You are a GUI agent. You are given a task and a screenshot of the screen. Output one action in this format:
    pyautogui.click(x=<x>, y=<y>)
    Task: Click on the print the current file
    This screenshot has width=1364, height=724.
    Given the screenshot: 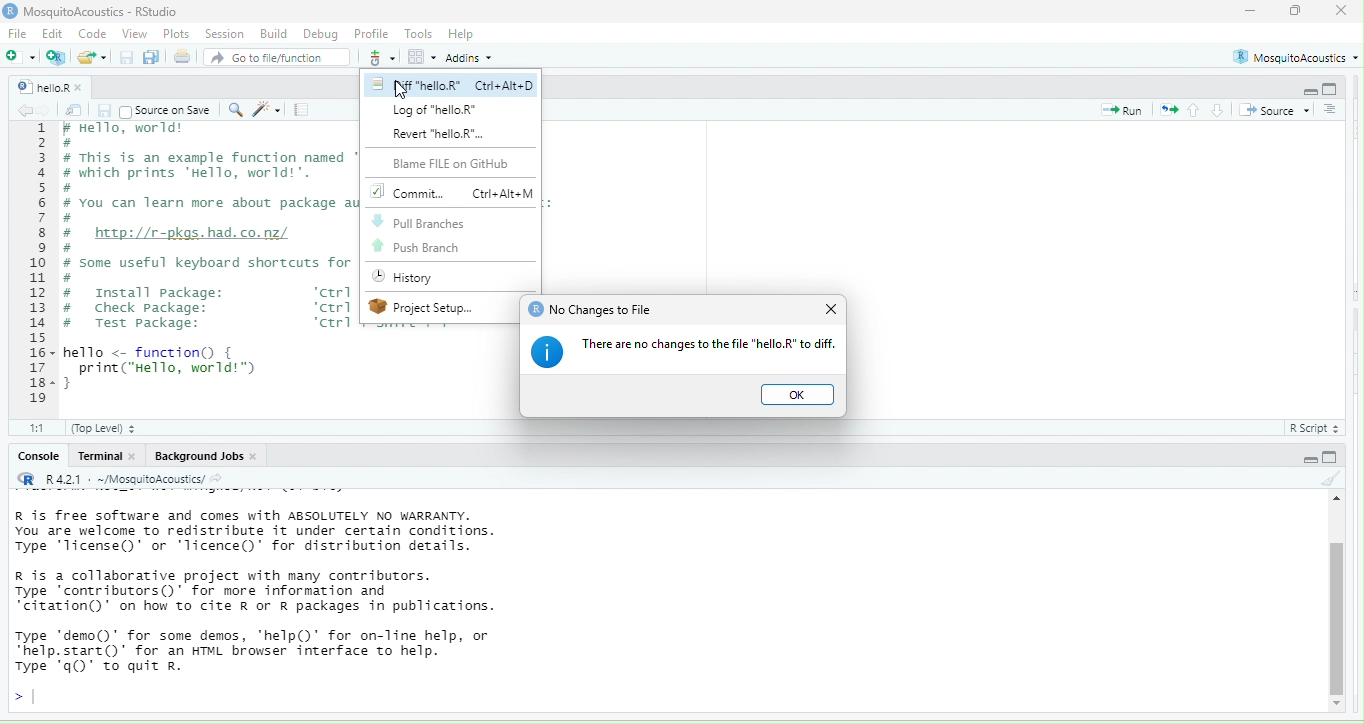 What is the action you would take?
    pyautogui.click(x=182, y=56)
    